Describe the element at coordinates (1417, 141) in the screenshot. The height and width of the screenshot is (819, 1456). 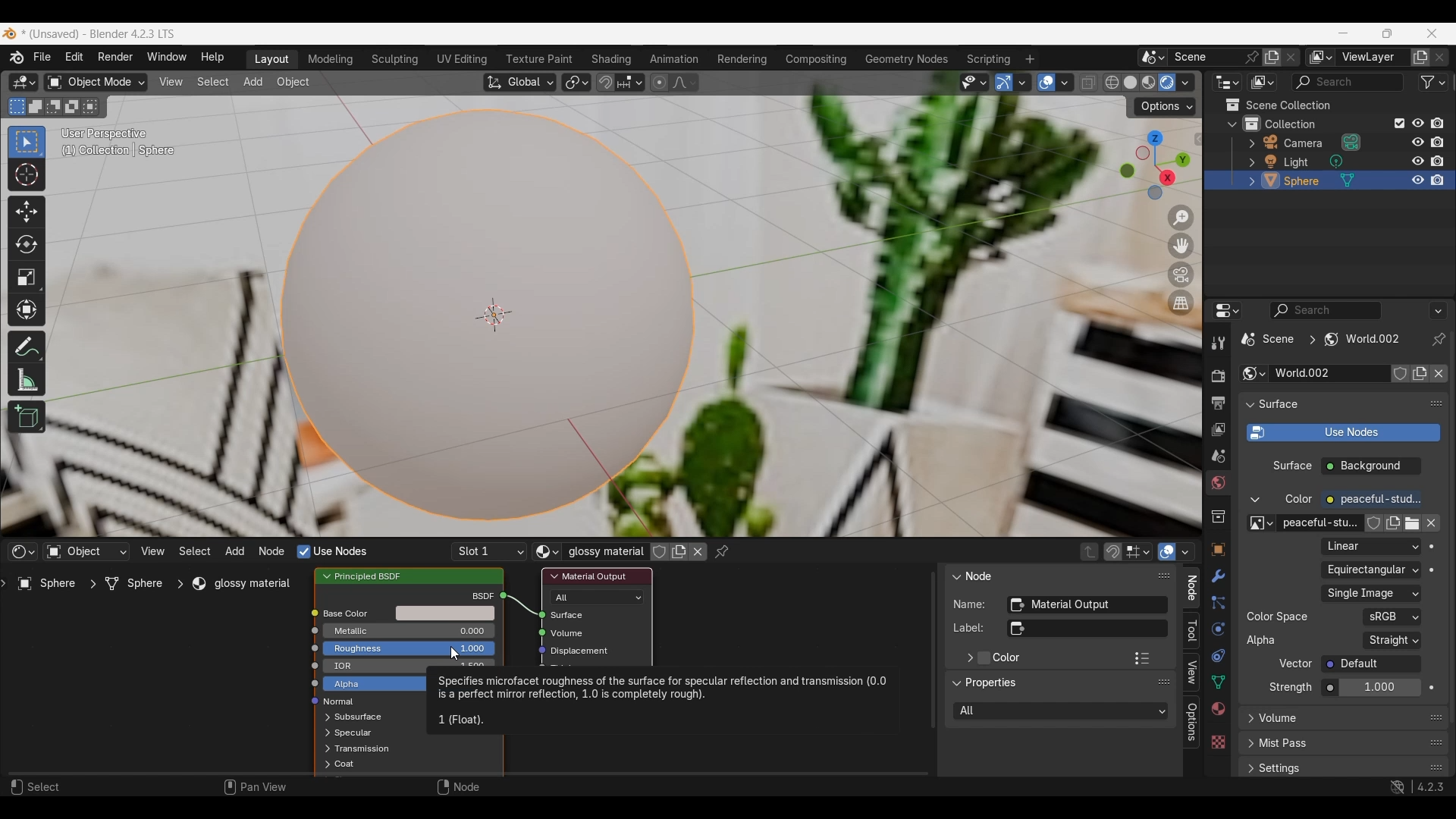
I see `respectively hide in viewport` at that location.